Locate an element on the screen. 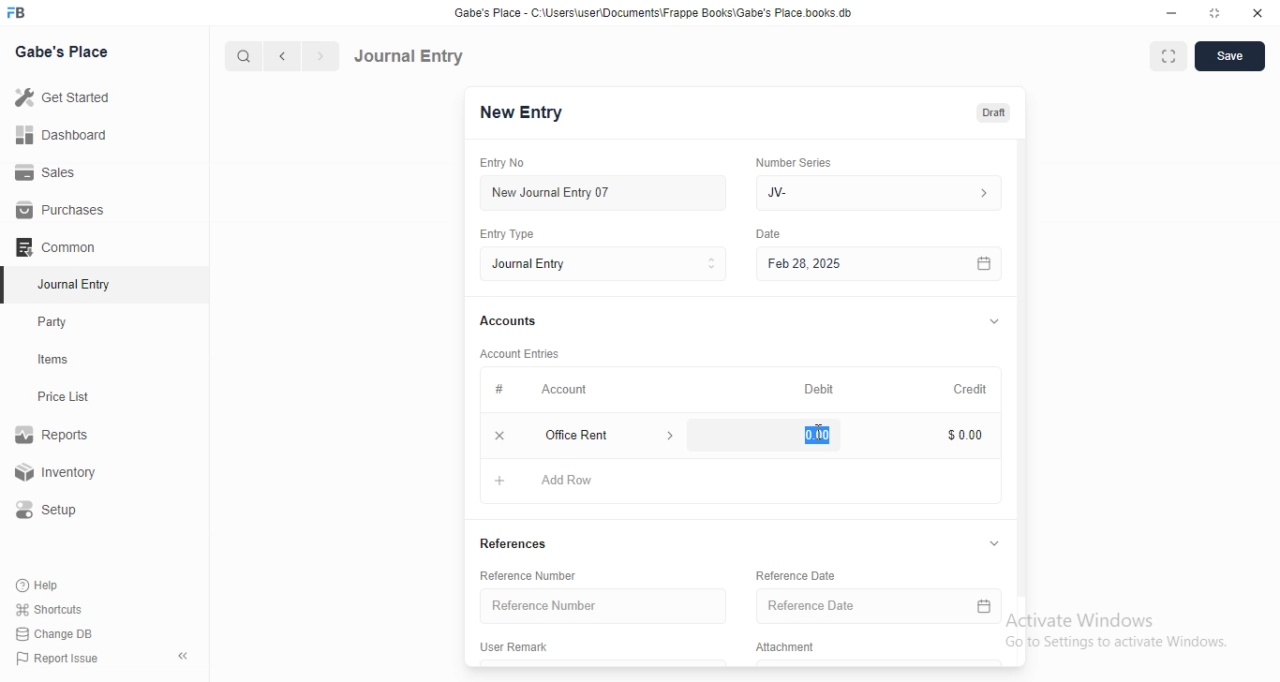 The width and height of the screenshot is (1280, 682). cursor is located at coordinates (817, 430).